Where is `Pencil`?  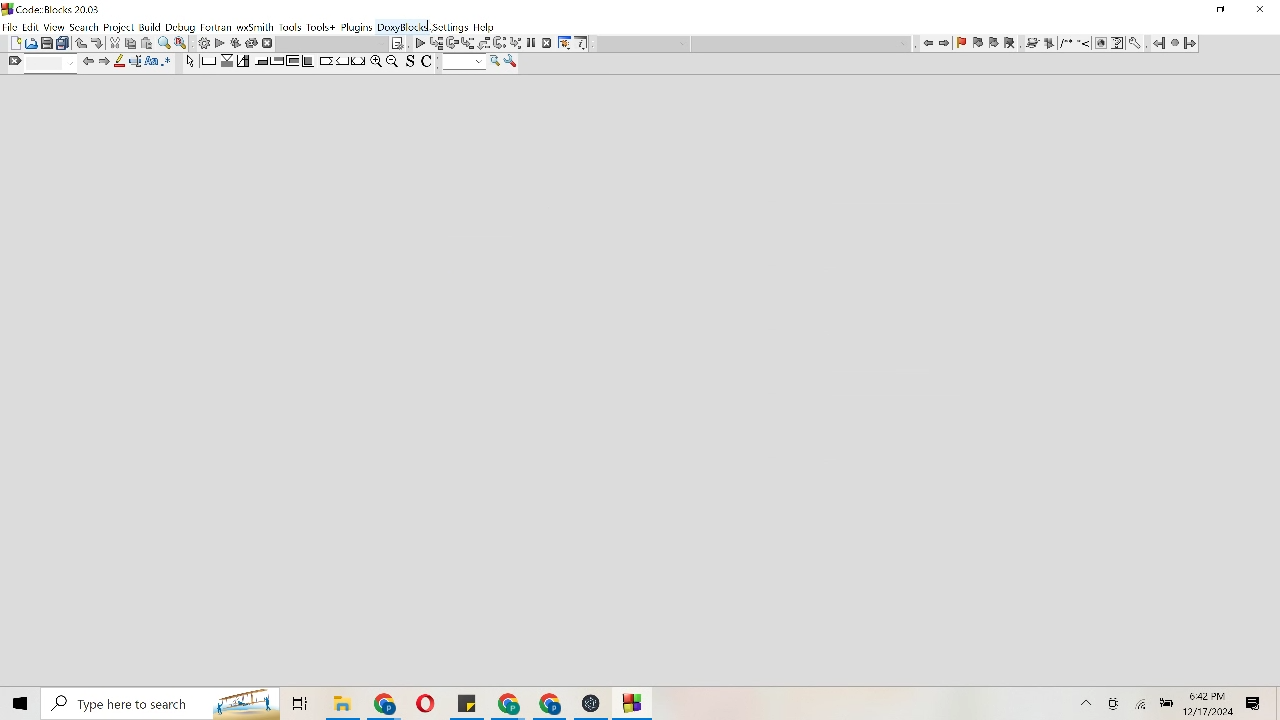 Pencil is located at coordinates (121, 61).